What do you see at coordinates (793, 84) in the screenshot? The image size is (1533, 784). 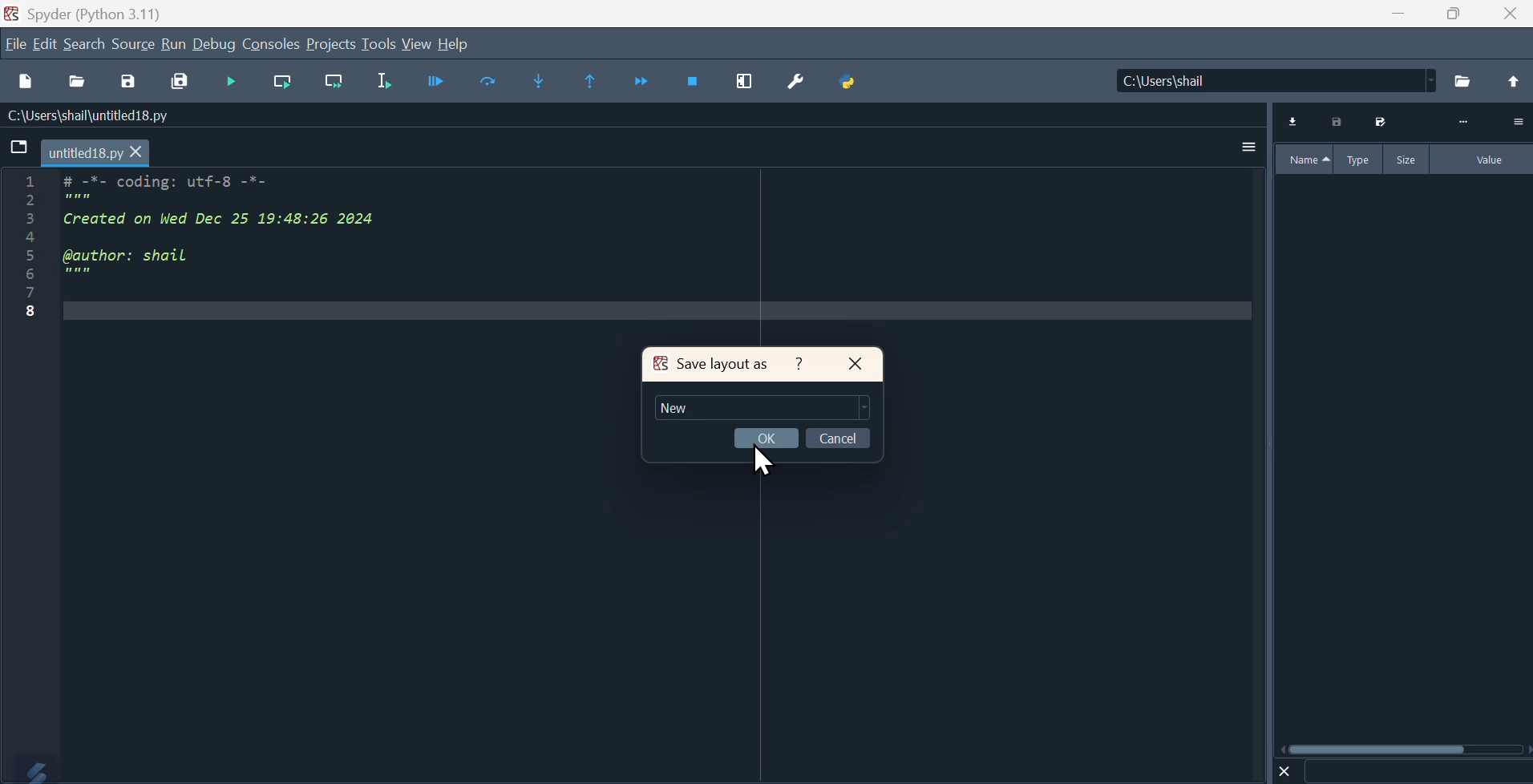 I see `Preferences` at bounding box center [793, 84].